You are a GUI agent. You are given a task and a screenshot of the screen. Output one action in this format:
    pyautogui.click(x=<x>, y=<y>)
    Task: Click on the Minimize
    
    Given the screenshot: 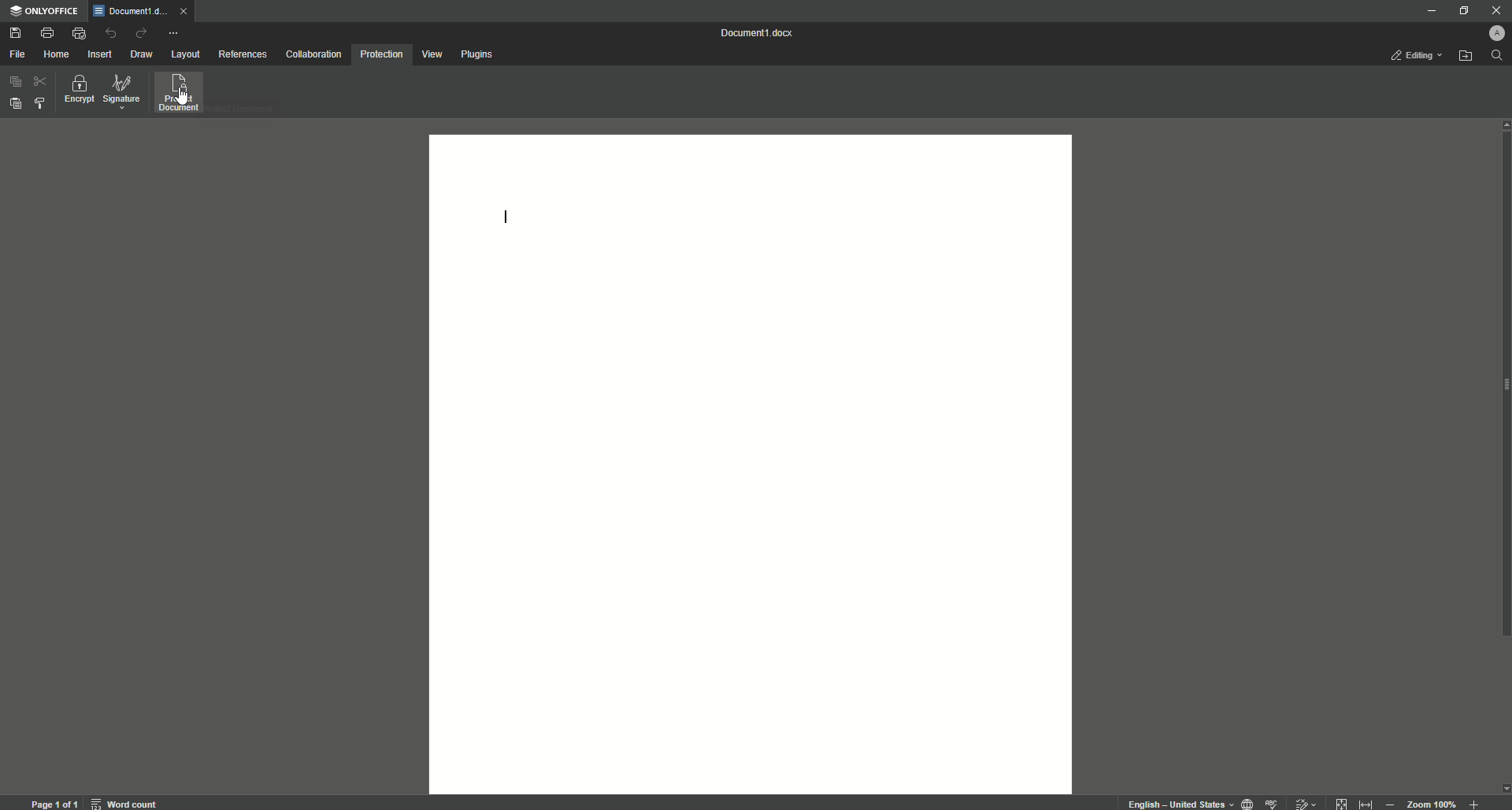 What is the action you would take?
    pyautogui.click(x=1429, y=12)
    